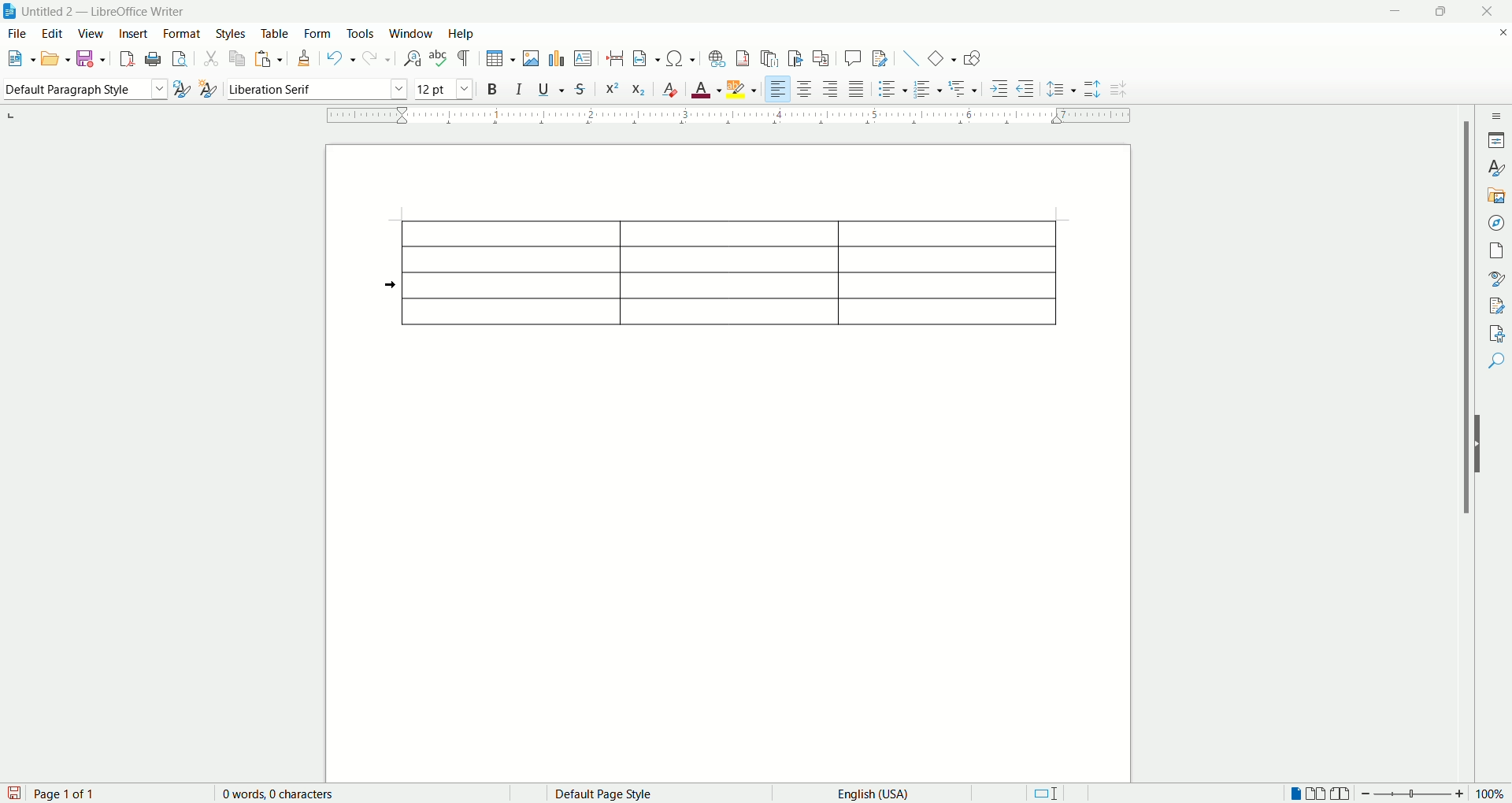  I want to click on set line spacing, so click(1061, 88).